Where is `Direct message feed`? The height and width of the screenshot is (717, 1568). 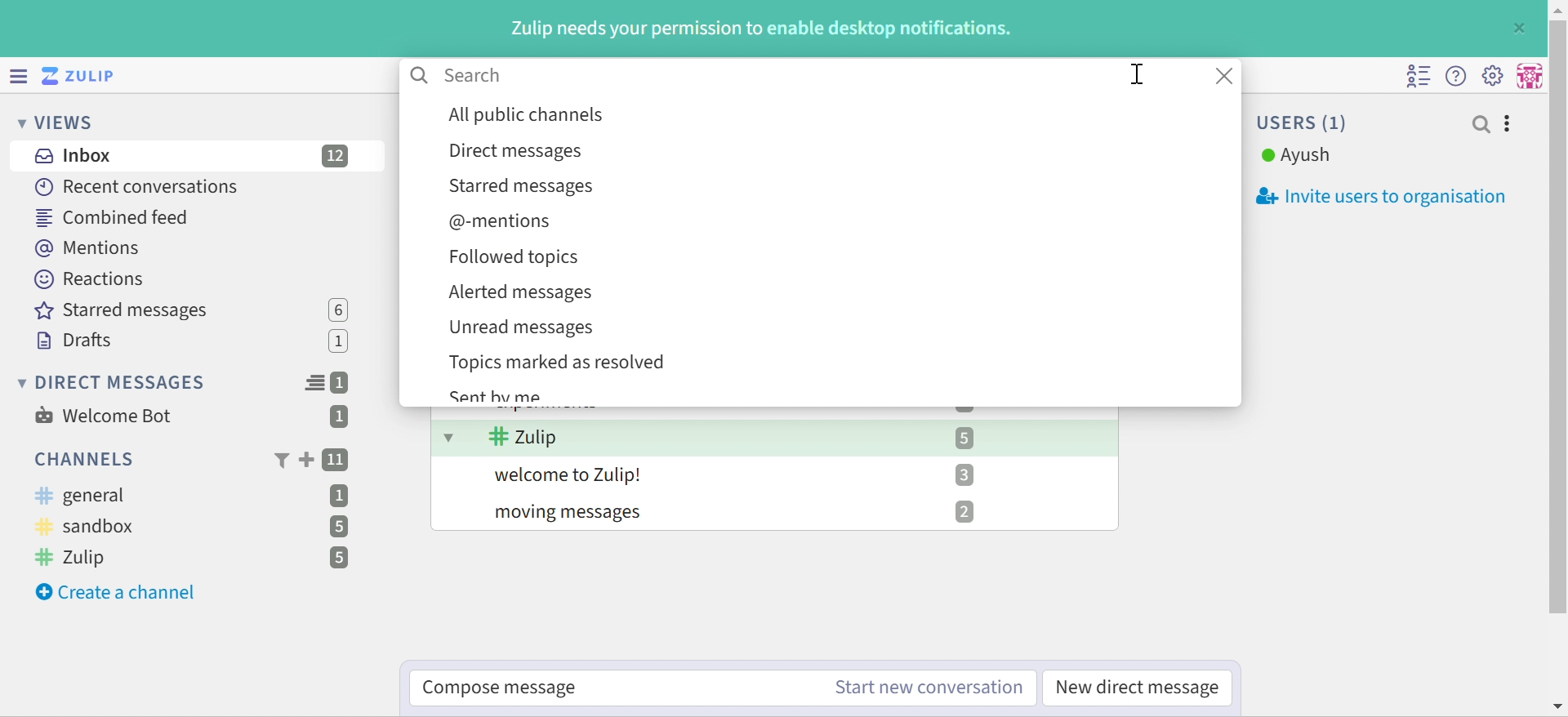 Direct message feed is located at coordinates (314, 383).